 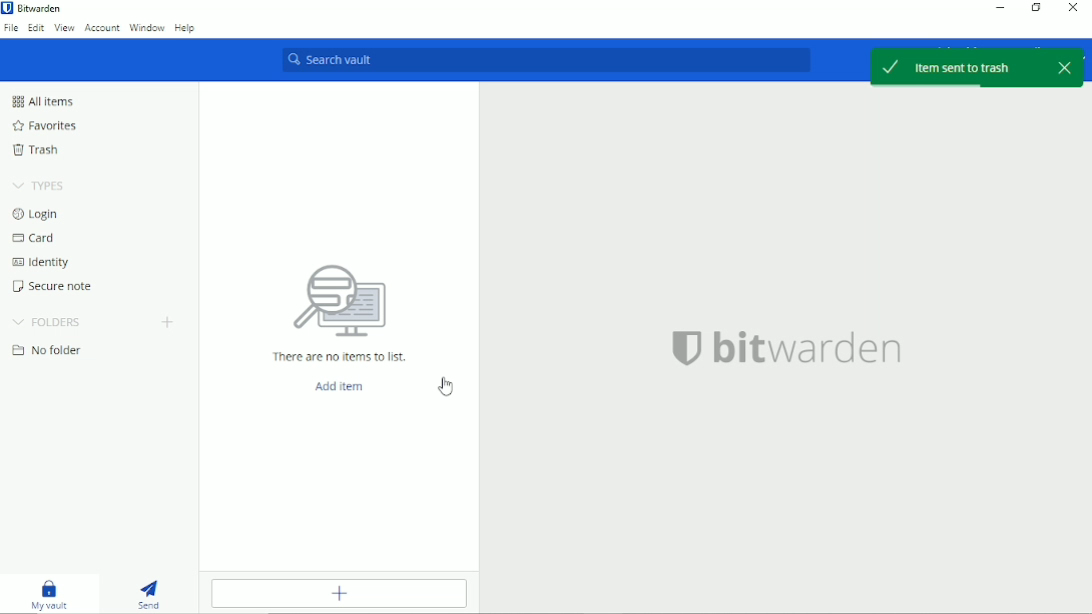 I want to click on Window, so click(x=147, y=28).